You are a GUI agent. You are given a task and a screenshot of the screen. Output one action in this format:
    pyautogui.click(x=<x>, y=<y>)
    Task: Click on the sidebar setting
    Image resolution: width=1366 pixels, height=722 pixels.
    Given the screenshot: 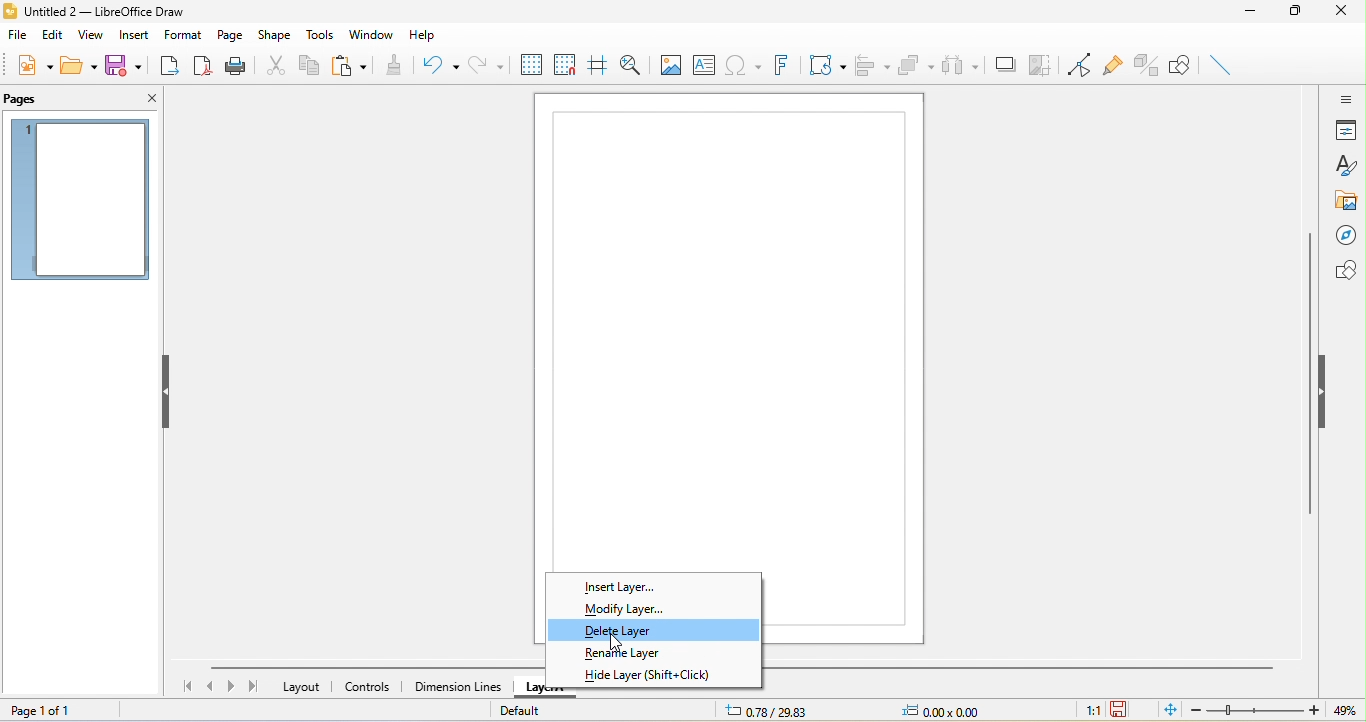 What is the action you would take?
    pyautogui.click(x=1347, y=101)
    